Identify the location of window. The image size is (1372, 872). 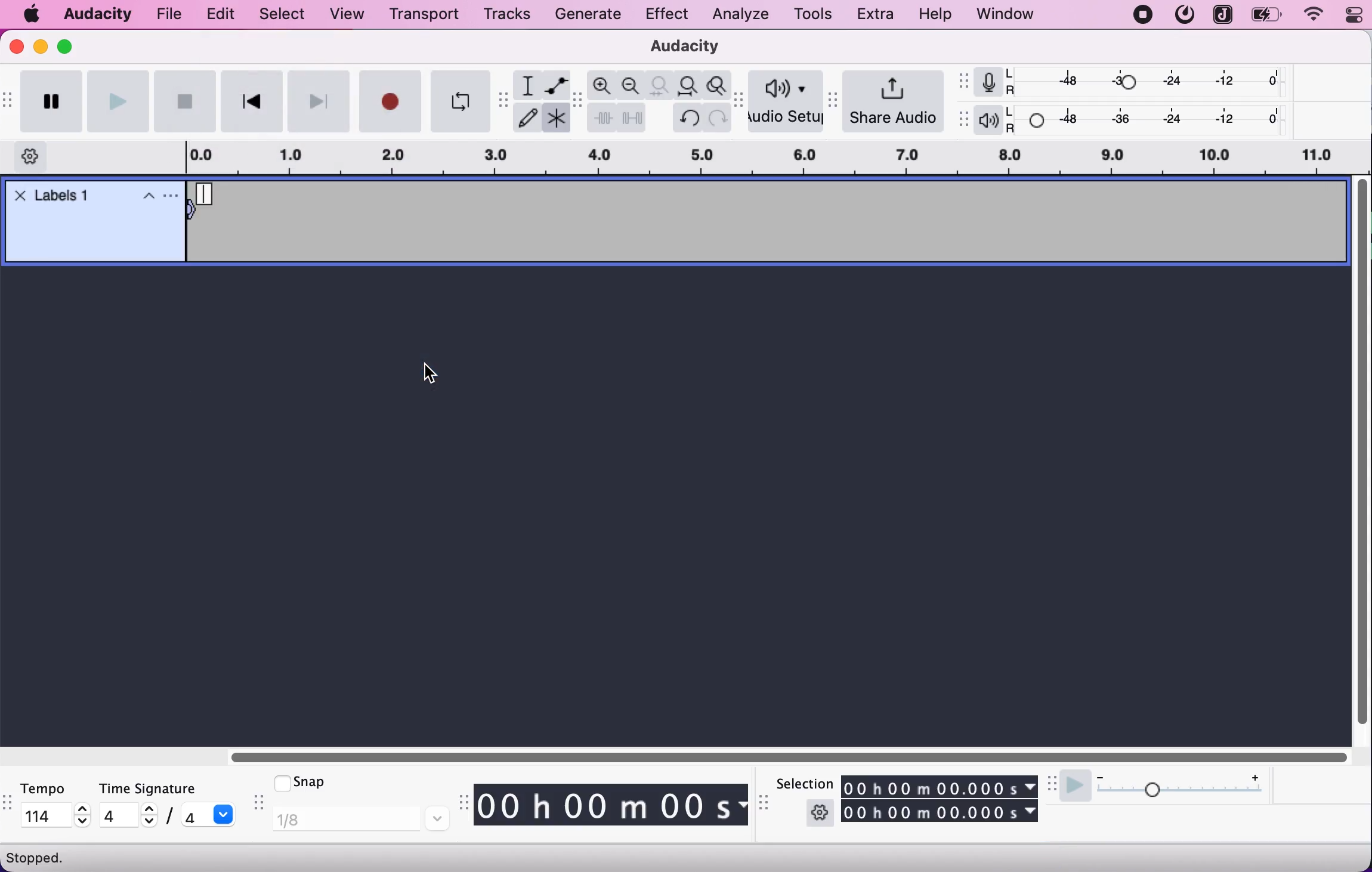
(1006, 15).